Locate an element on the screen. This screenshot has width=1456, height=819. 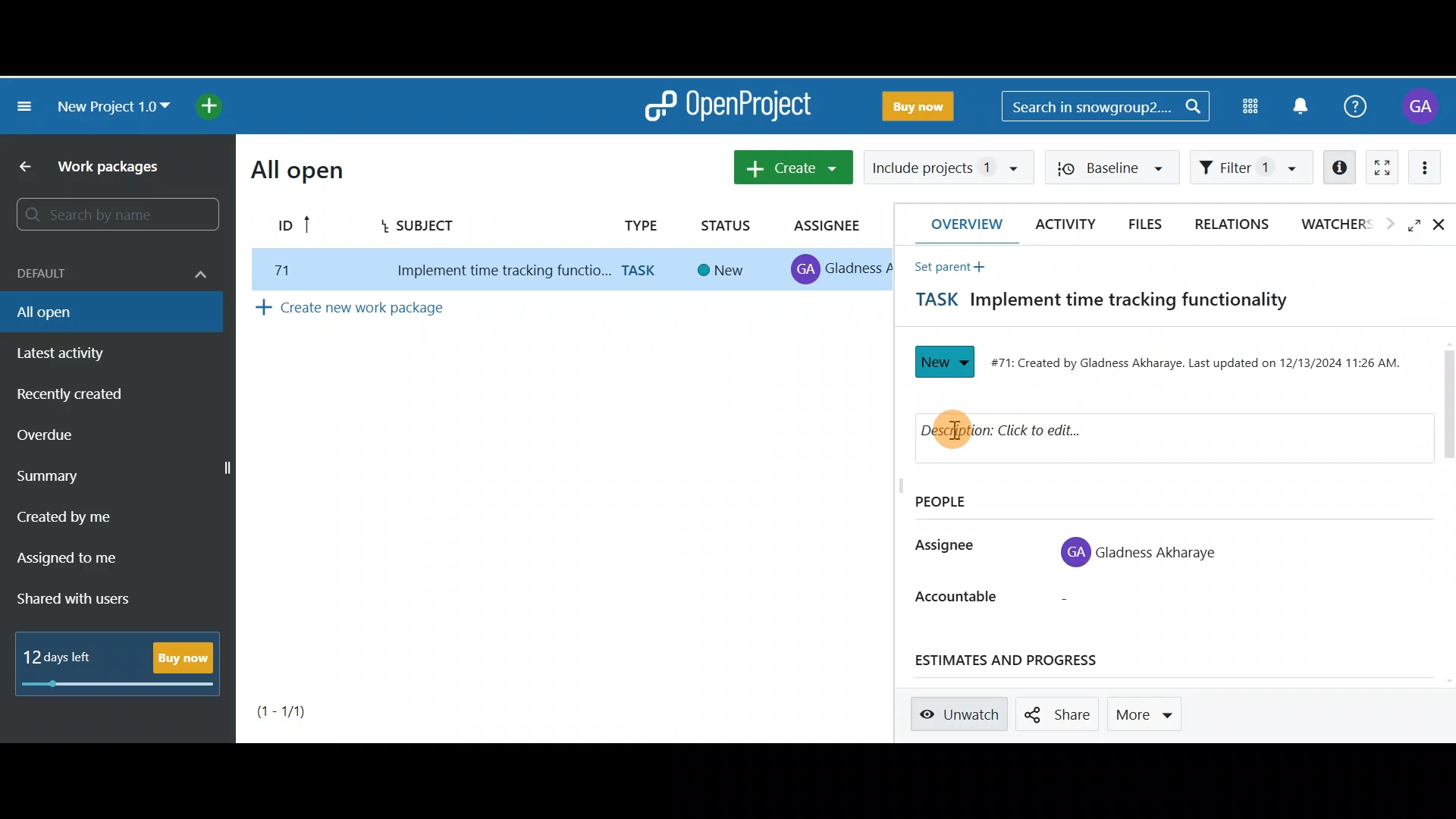
Type is located at coordinates (638, 224).